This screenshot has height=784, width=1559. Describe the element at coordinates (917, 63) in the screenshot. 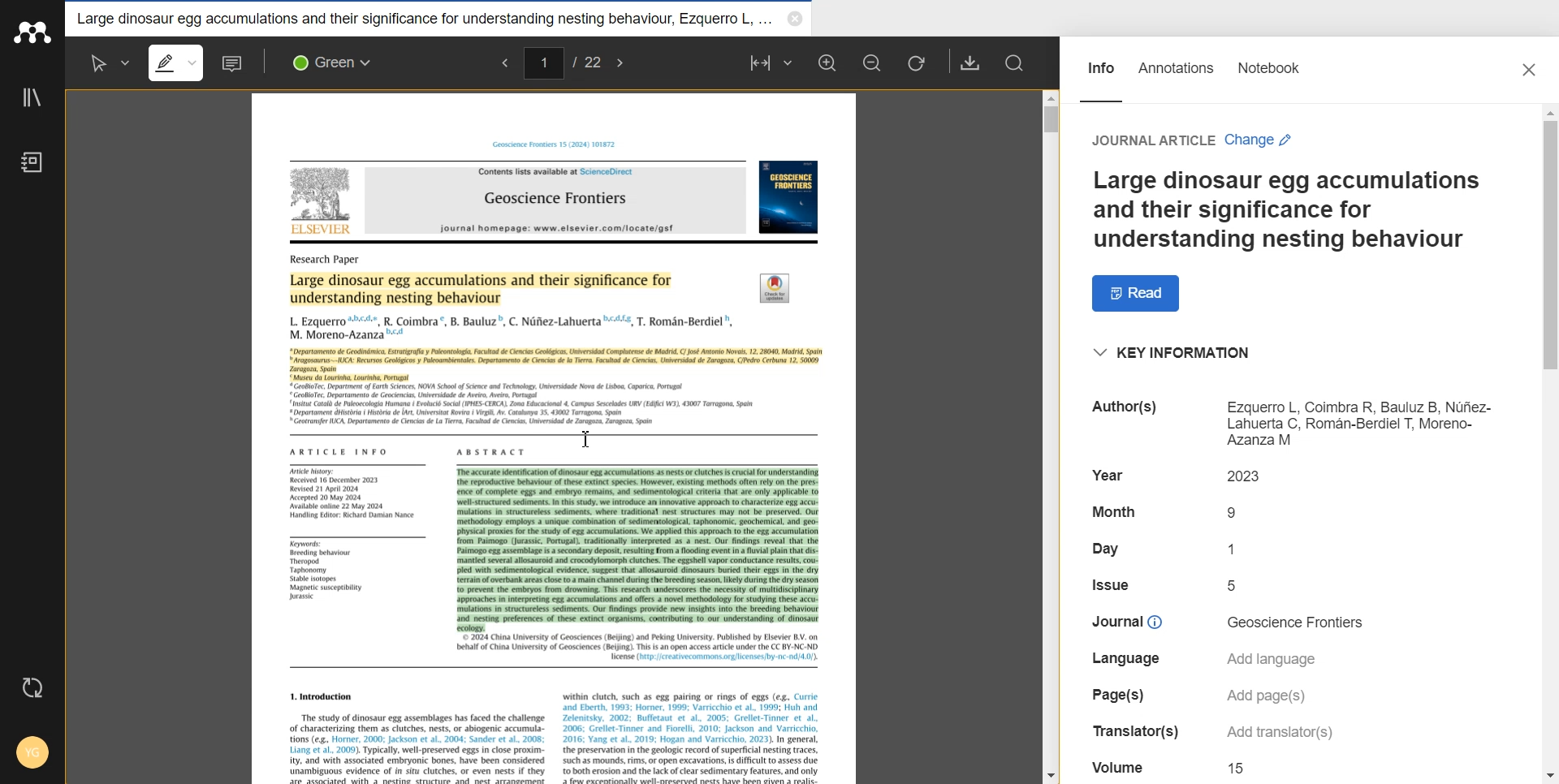

I see `Rotate page` at that location.